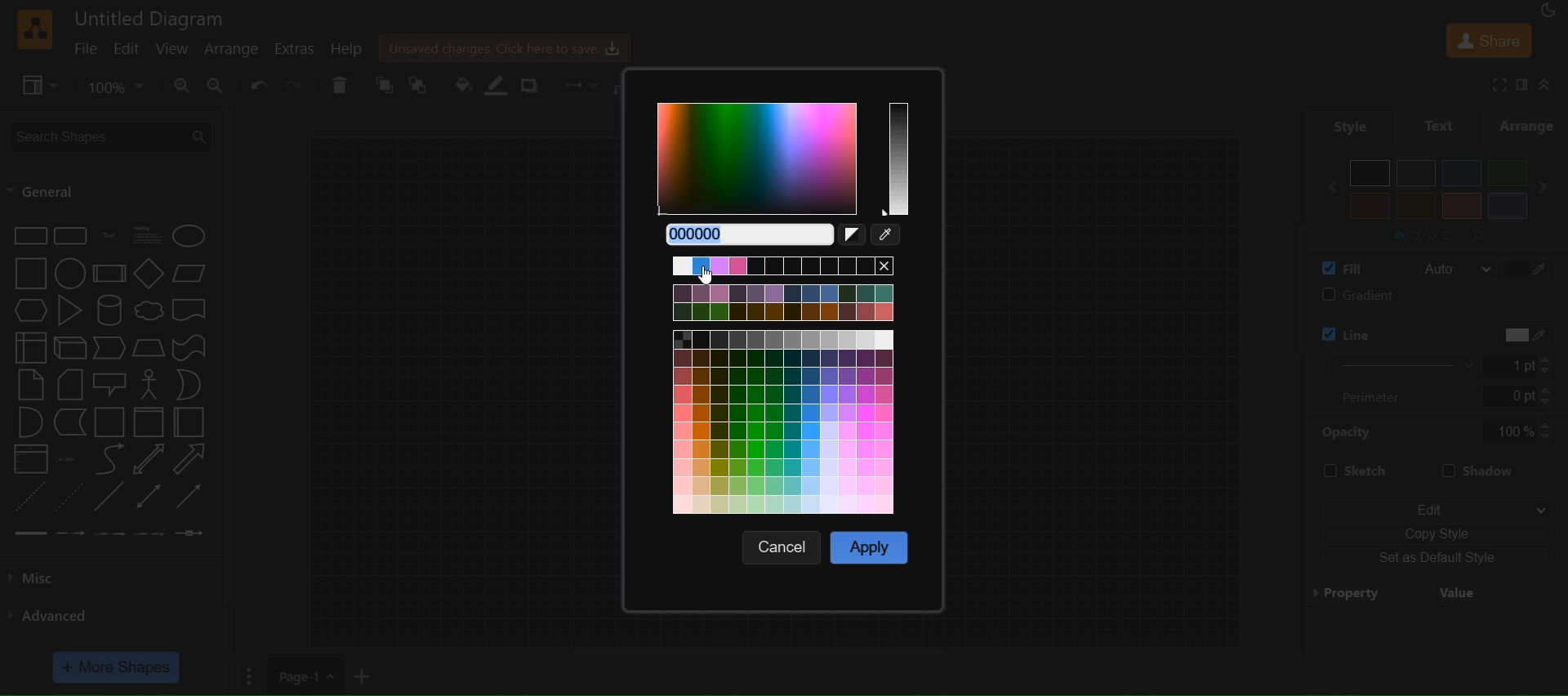 This screenshot has width=1568, height=696. I want to click on line color, so click(501, 85).